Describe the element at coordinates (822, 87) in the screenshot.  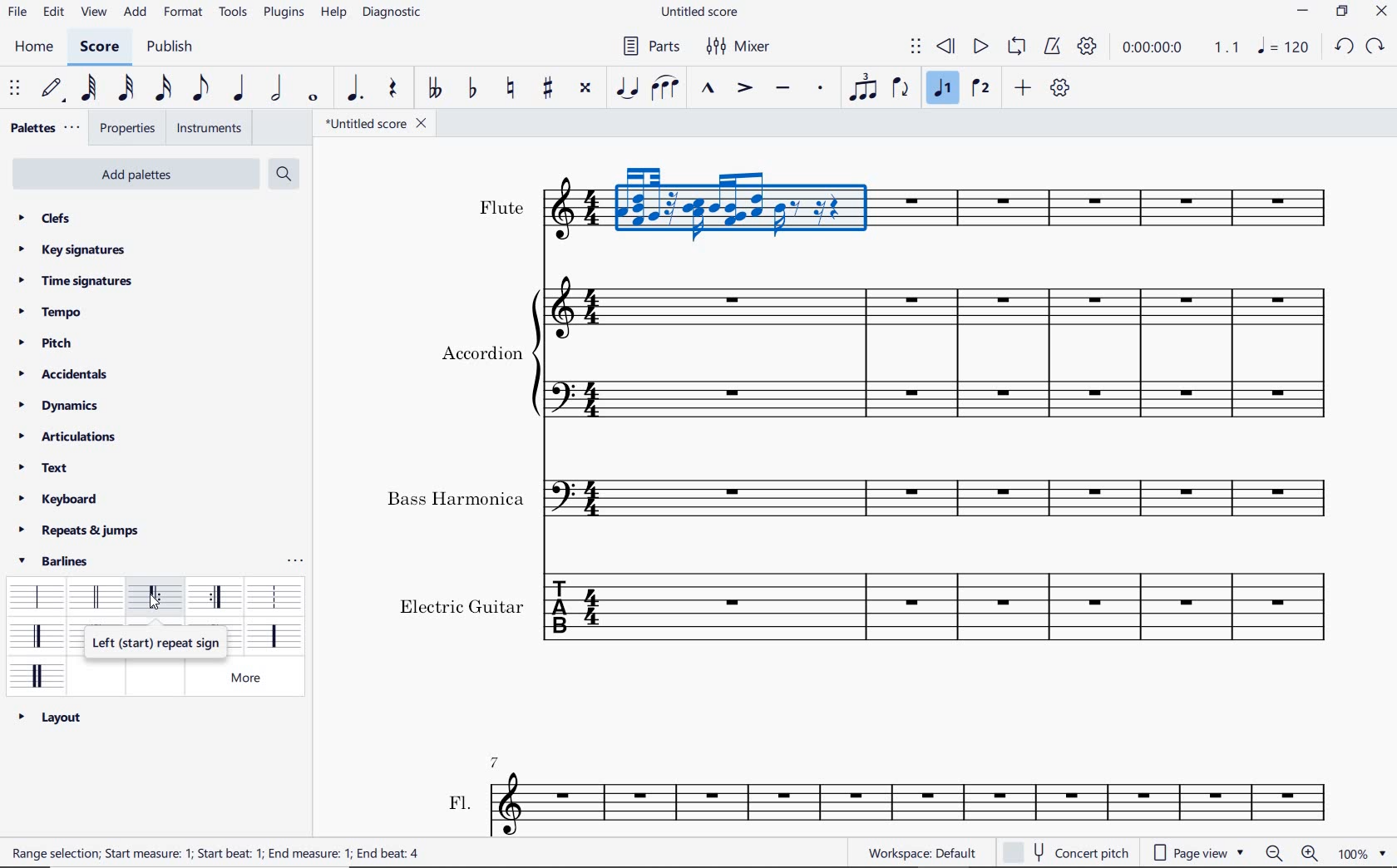
I see `staccato` at that location.